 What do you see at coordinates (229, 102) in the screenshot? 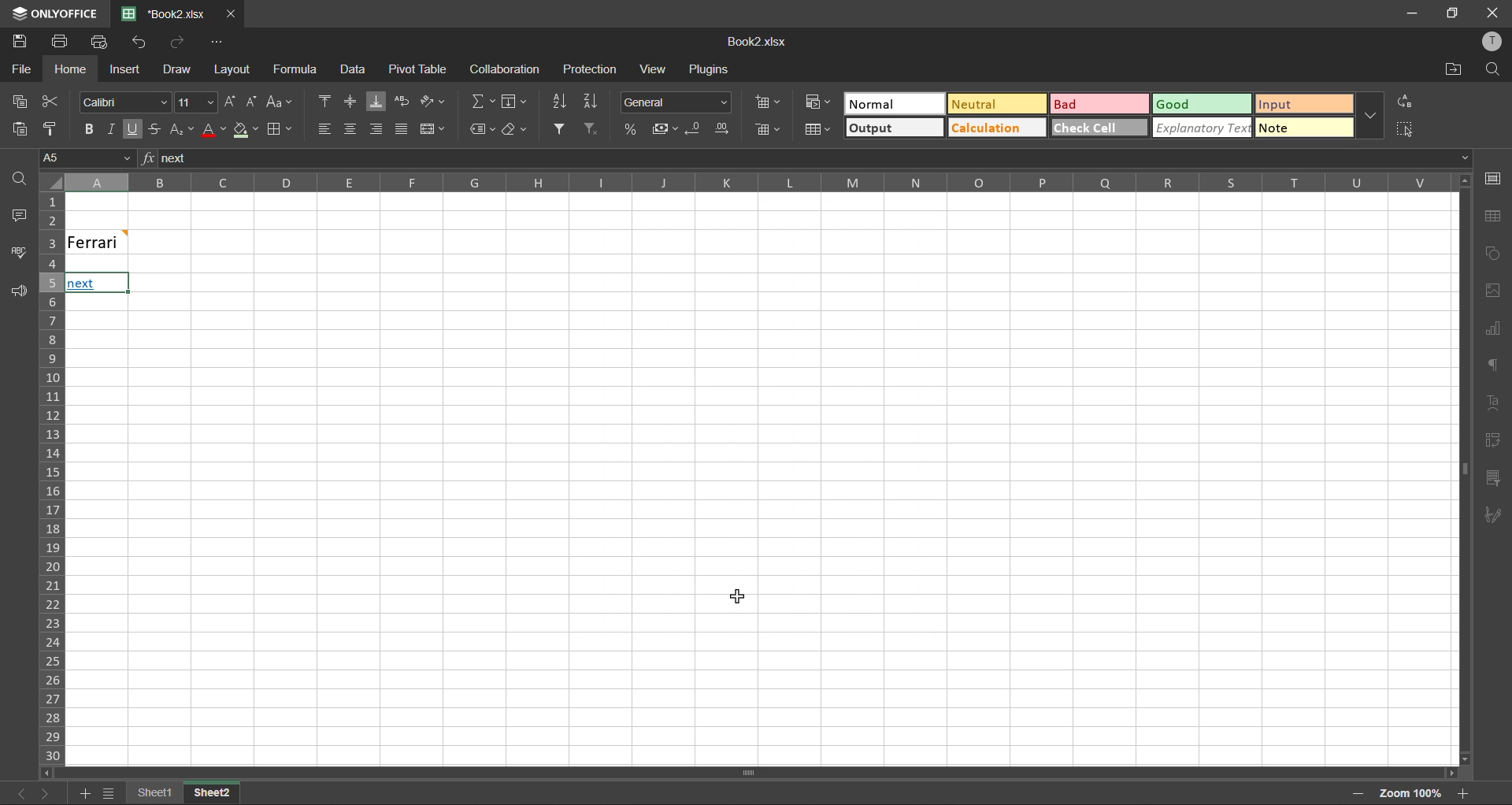
I see `increment size` at bounding box center [229, 102].